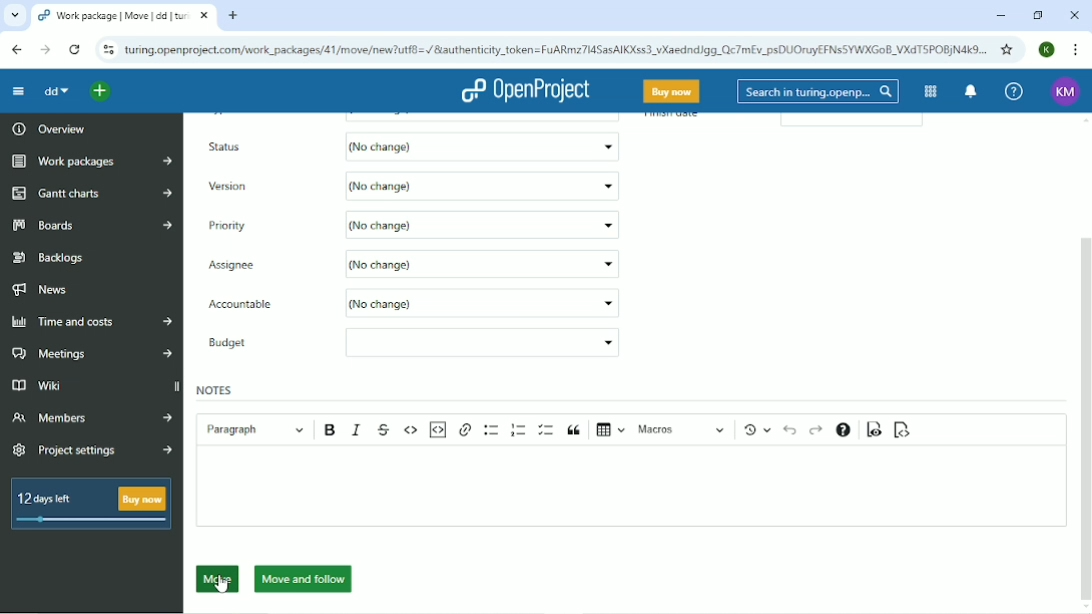 This screenshot has width=1092, height=614. What do you see at coordinates (484, 223) in the screenshot?
I see `Scrum project` at bounding box center [484, 223].